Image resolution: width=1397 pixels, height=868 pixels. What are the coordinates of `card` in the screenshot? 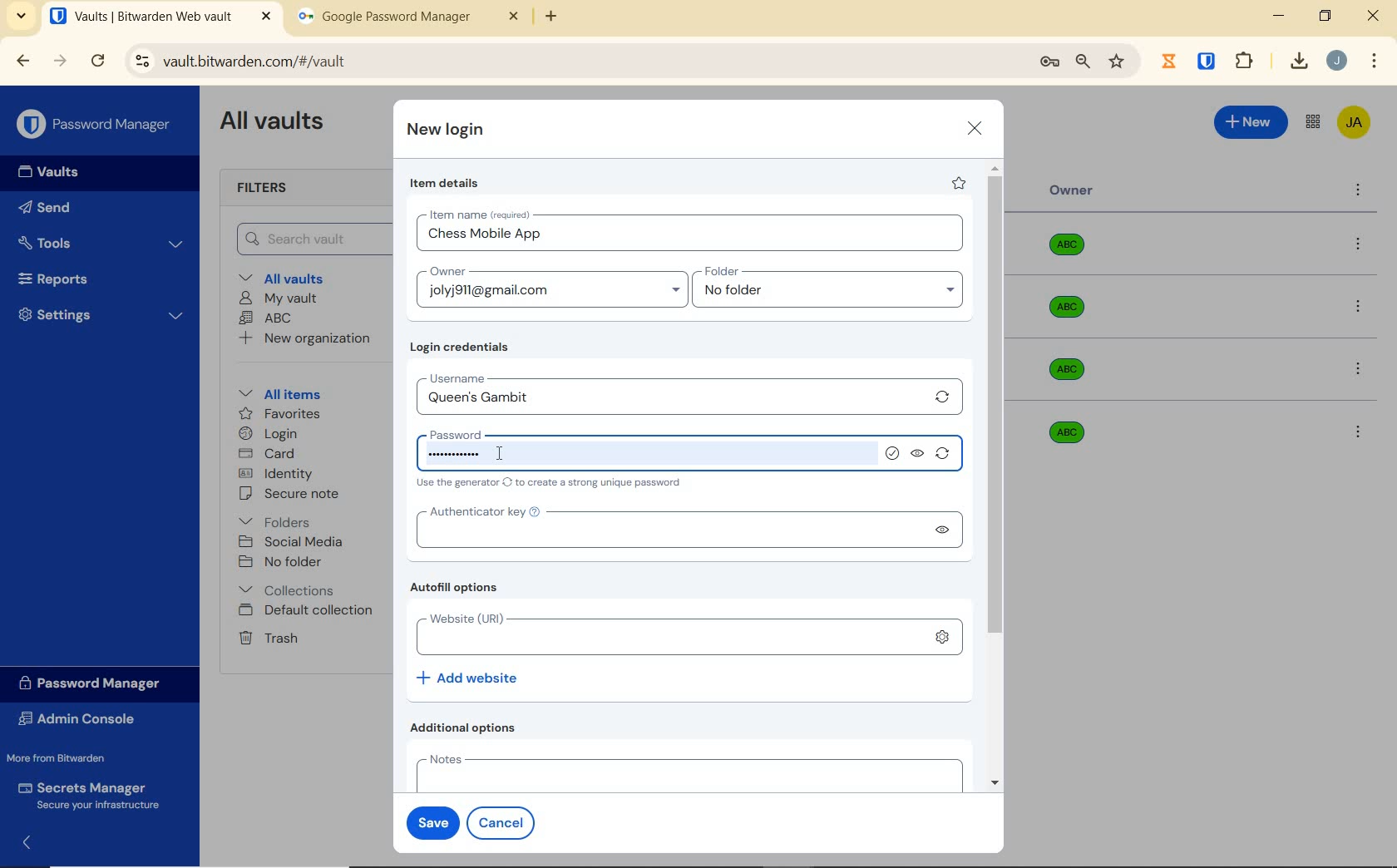 It's located at (266, 455).